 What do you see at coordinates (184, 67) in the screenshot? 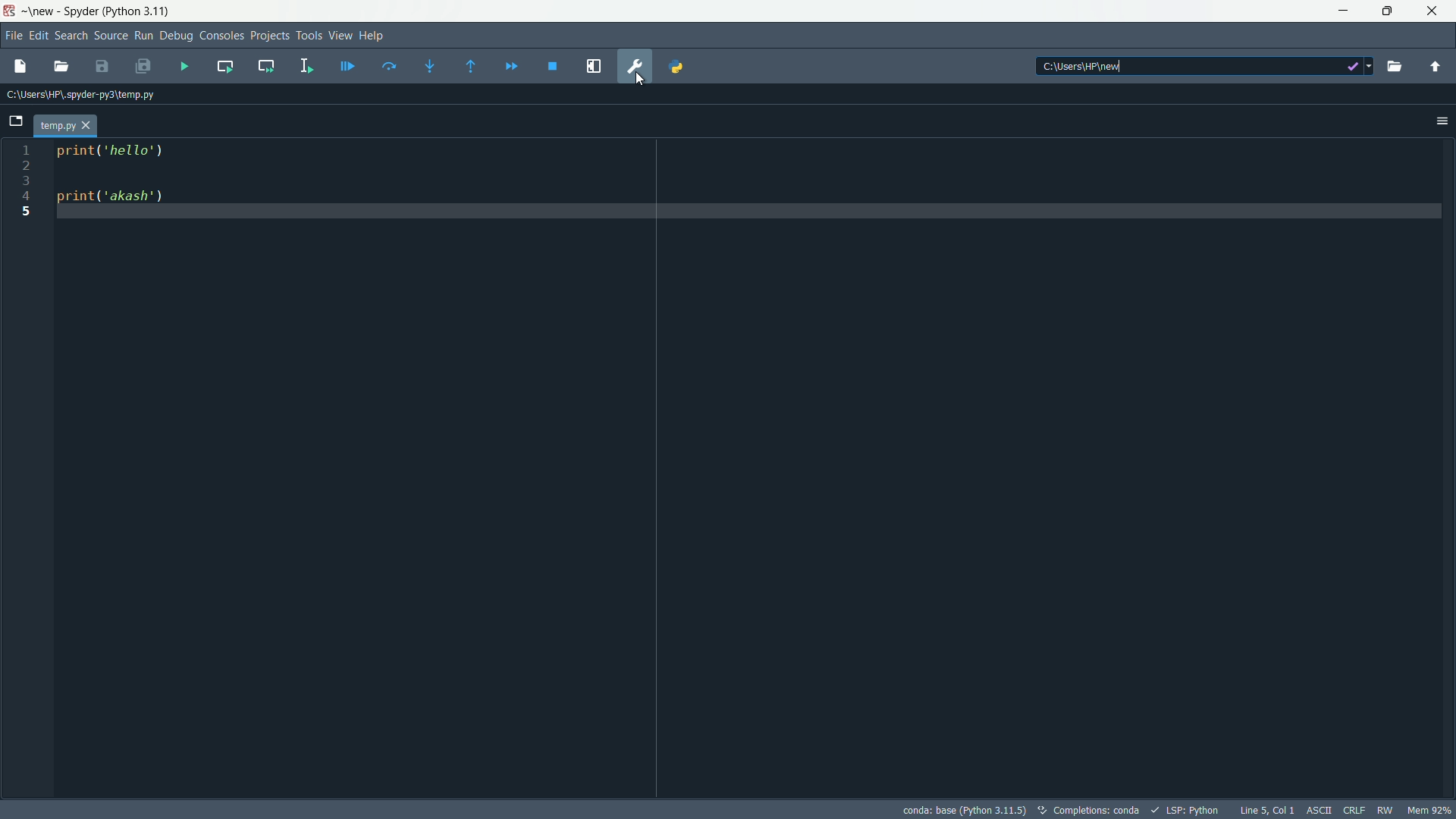
I see `run file` at bounding box center [184, 67].